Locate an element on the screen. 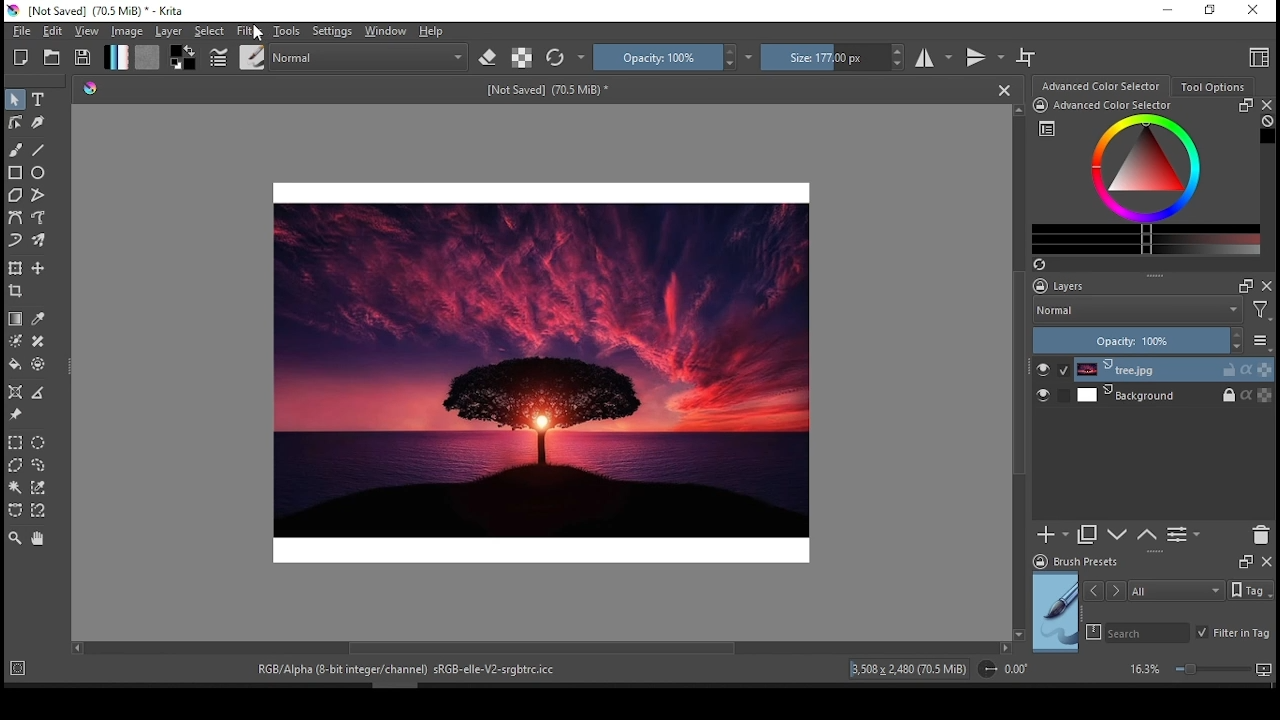 The image size is (1280, 720). minimize is located at coordinates (1166, 10).